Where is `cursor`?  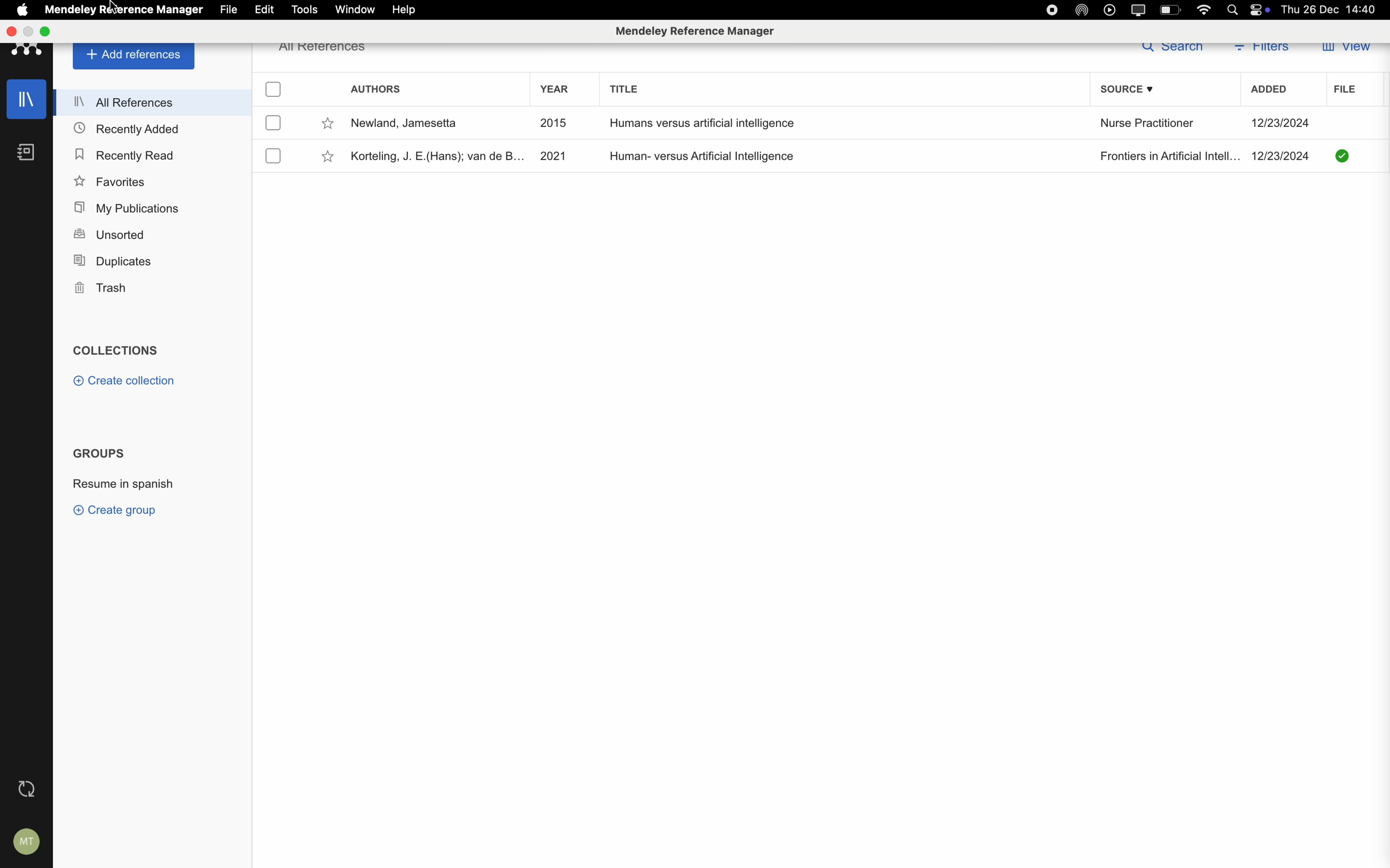
cursor is located at coordinates (112, 6).